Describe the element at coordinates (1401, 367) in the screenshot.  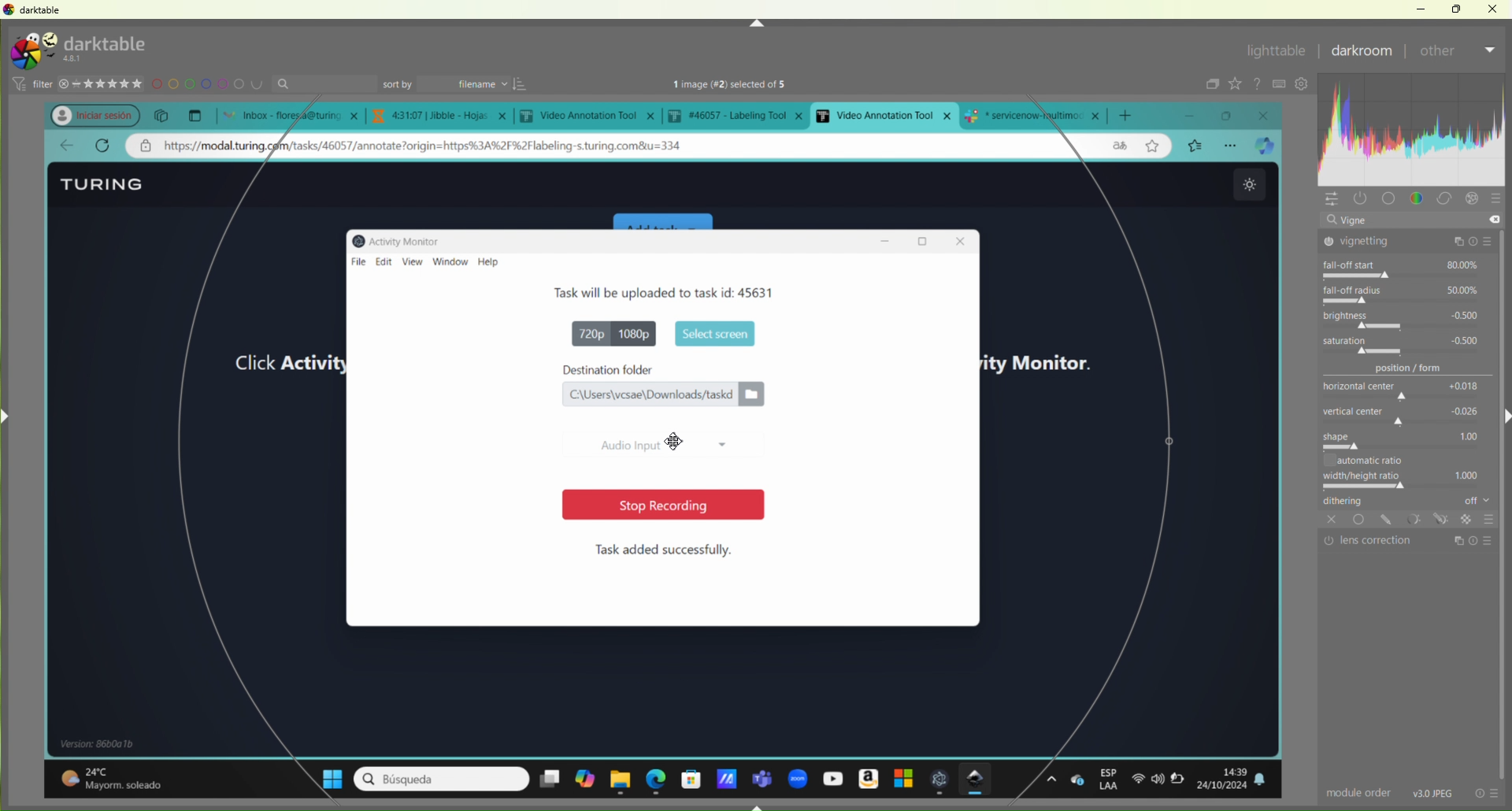
I see `position/form` at that location.